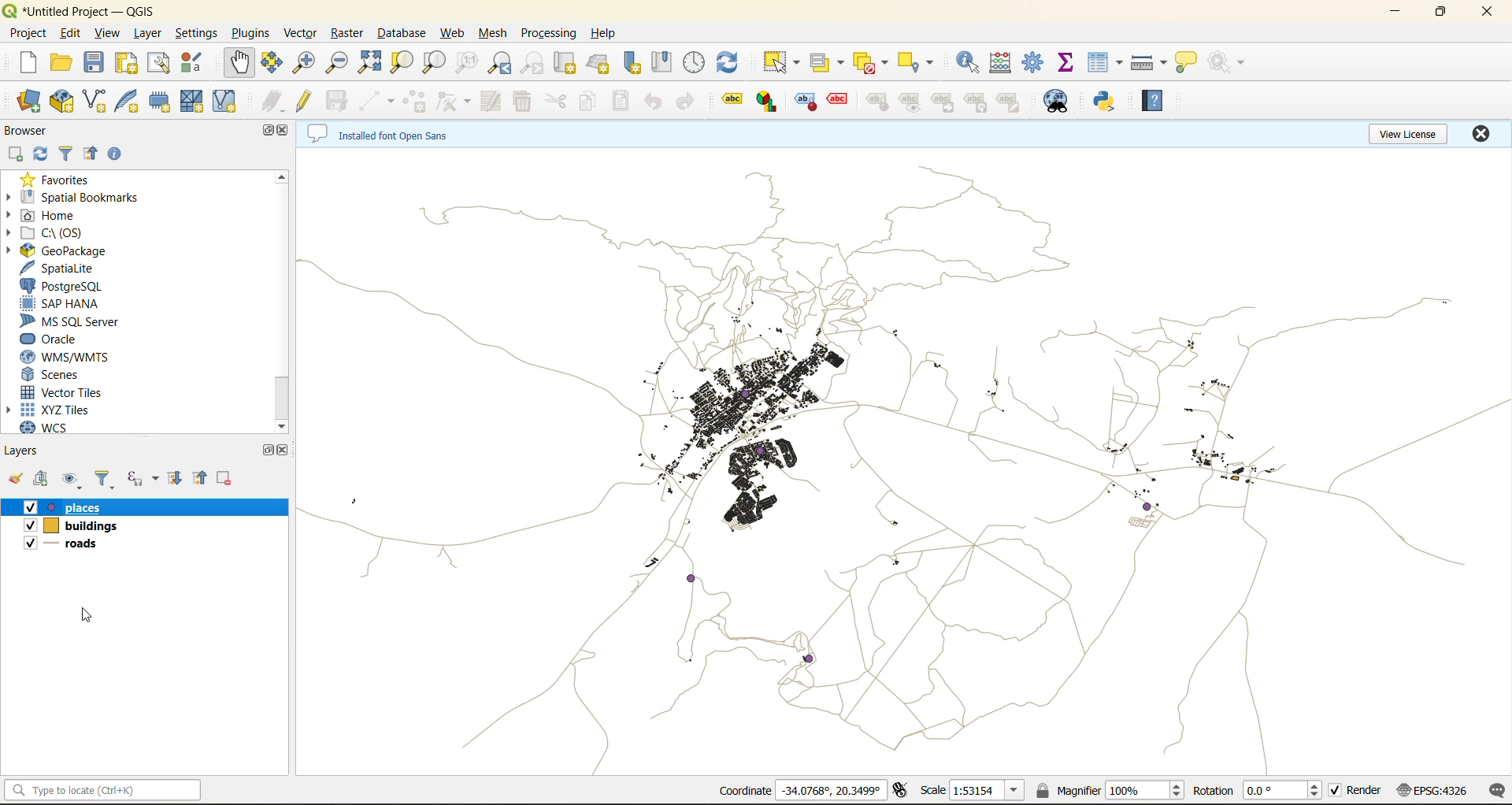  Describe the element at coordinates (653, 104) in the screenshot. I see `undo` at that location.